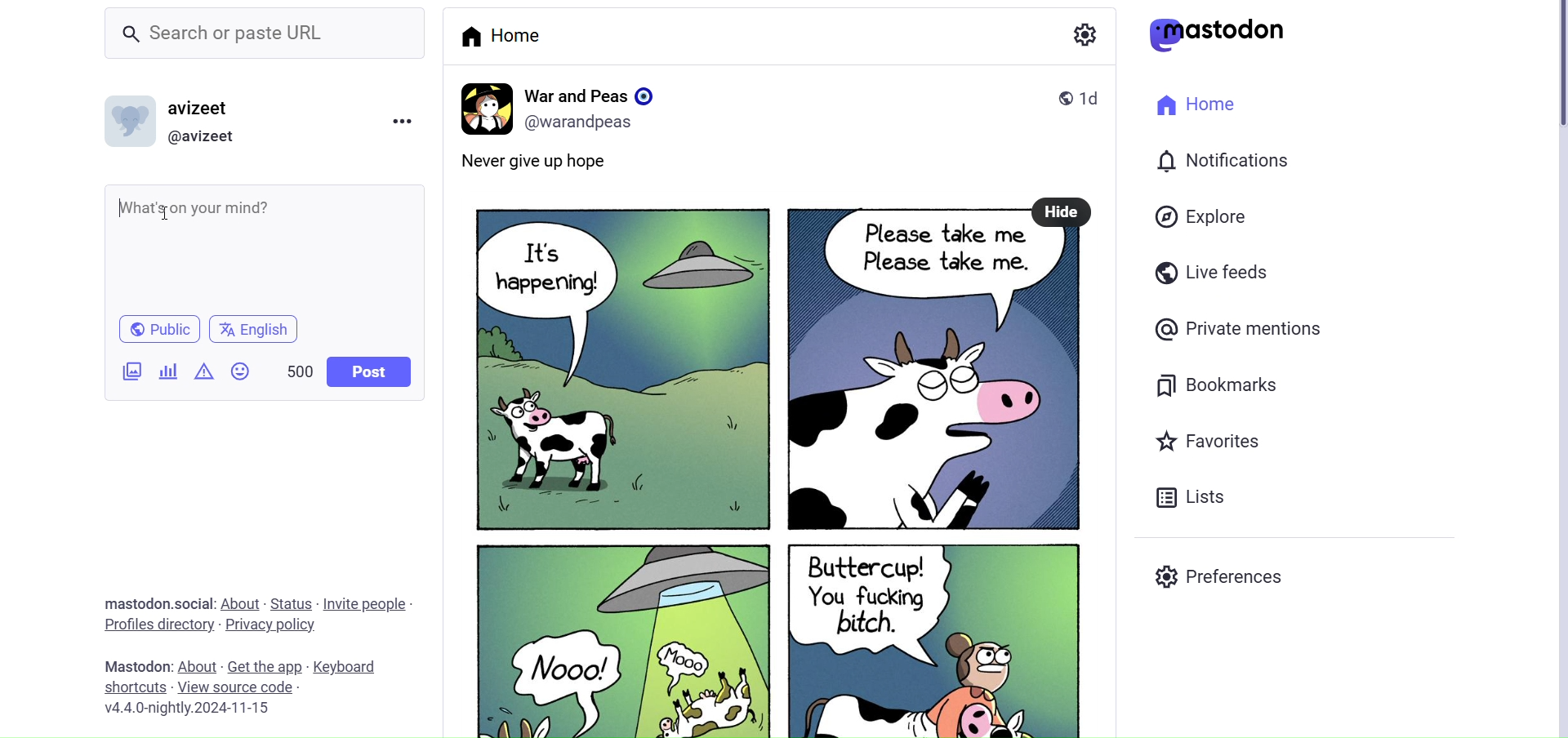 The width and height of the screenshot is (1568, 738). Describe the element at coordinates (239, 370) in the screenshot. I see `Emojis` at that location.